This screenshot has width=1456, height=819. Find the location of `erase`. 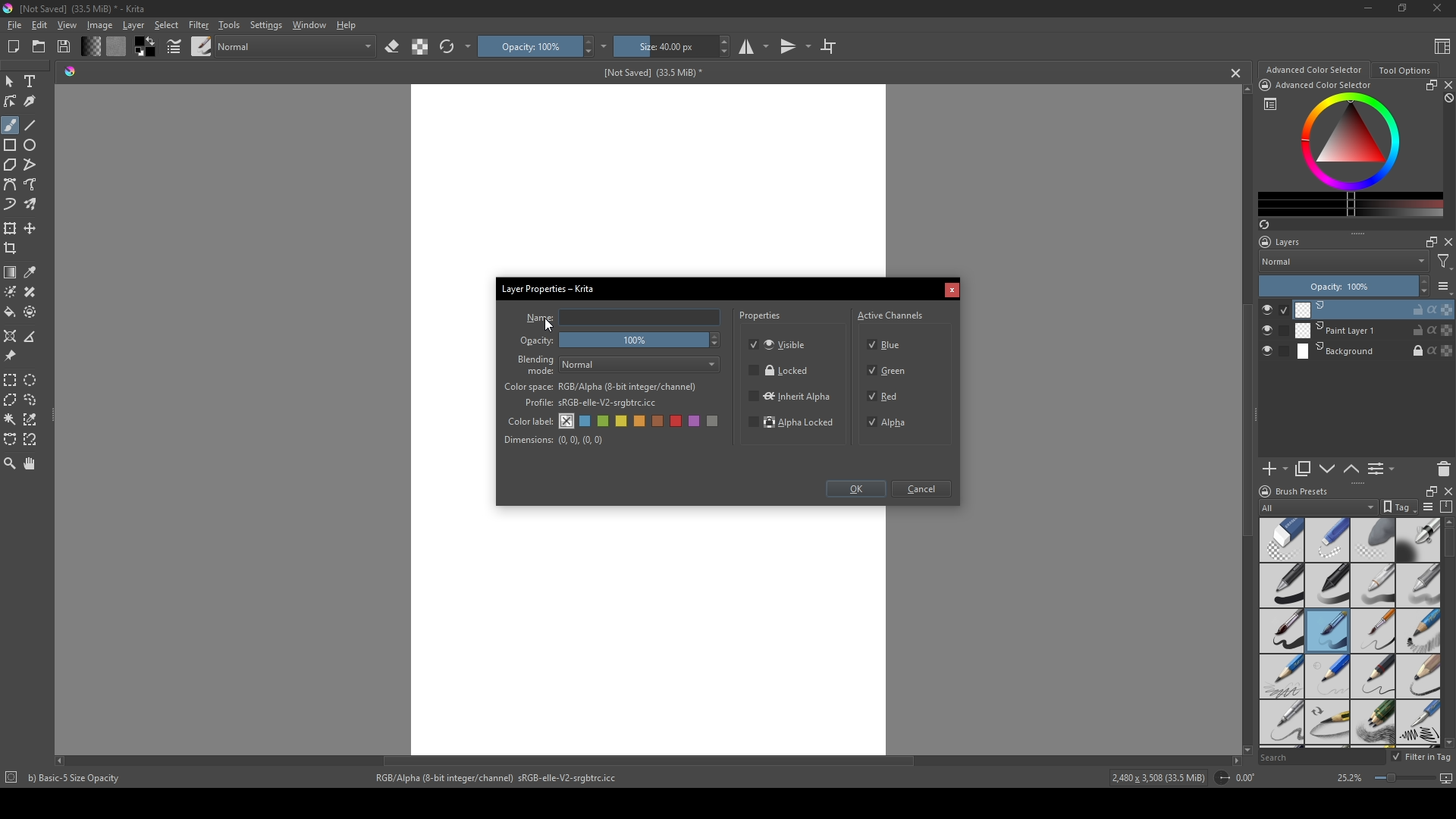

erase is located at coordinates (393, 47).